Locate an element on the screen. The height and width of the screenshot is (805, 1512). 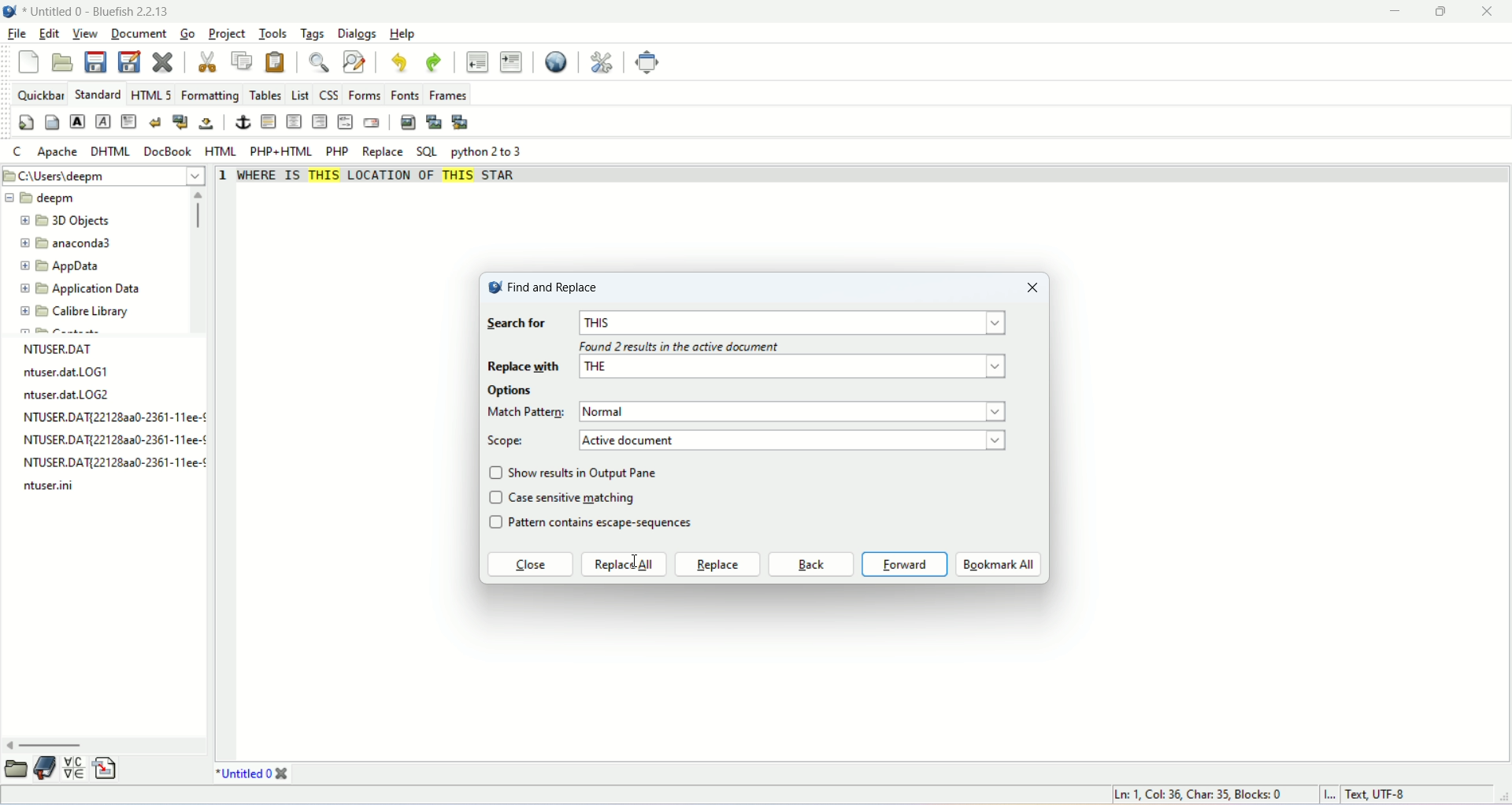
forms is located at coordinates (365, 95).